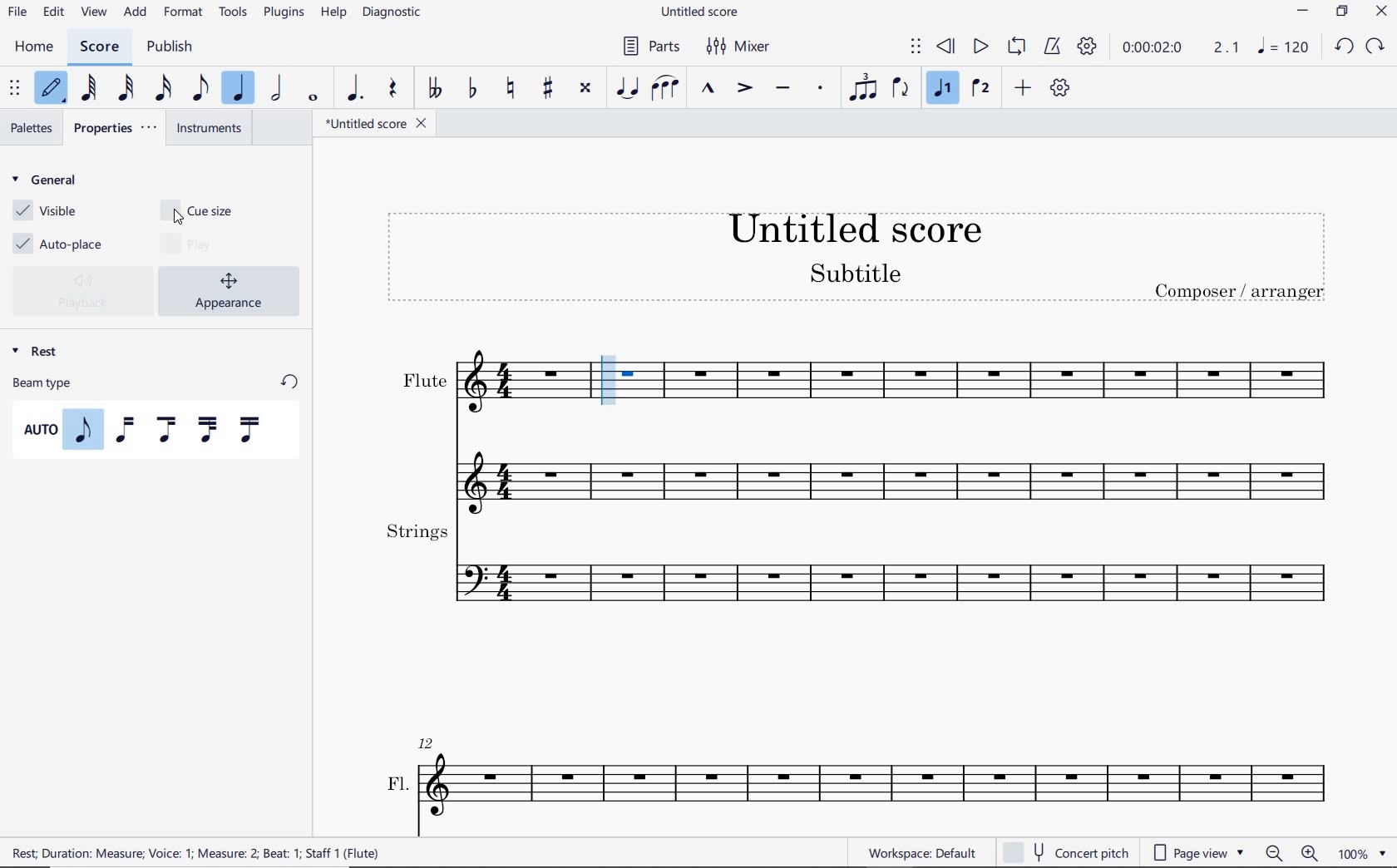 The height and width of the screenshot is (868, 1397). Describe the element at coordinates (866, 86) in the screenshot. I see `TUPLET` at that location.